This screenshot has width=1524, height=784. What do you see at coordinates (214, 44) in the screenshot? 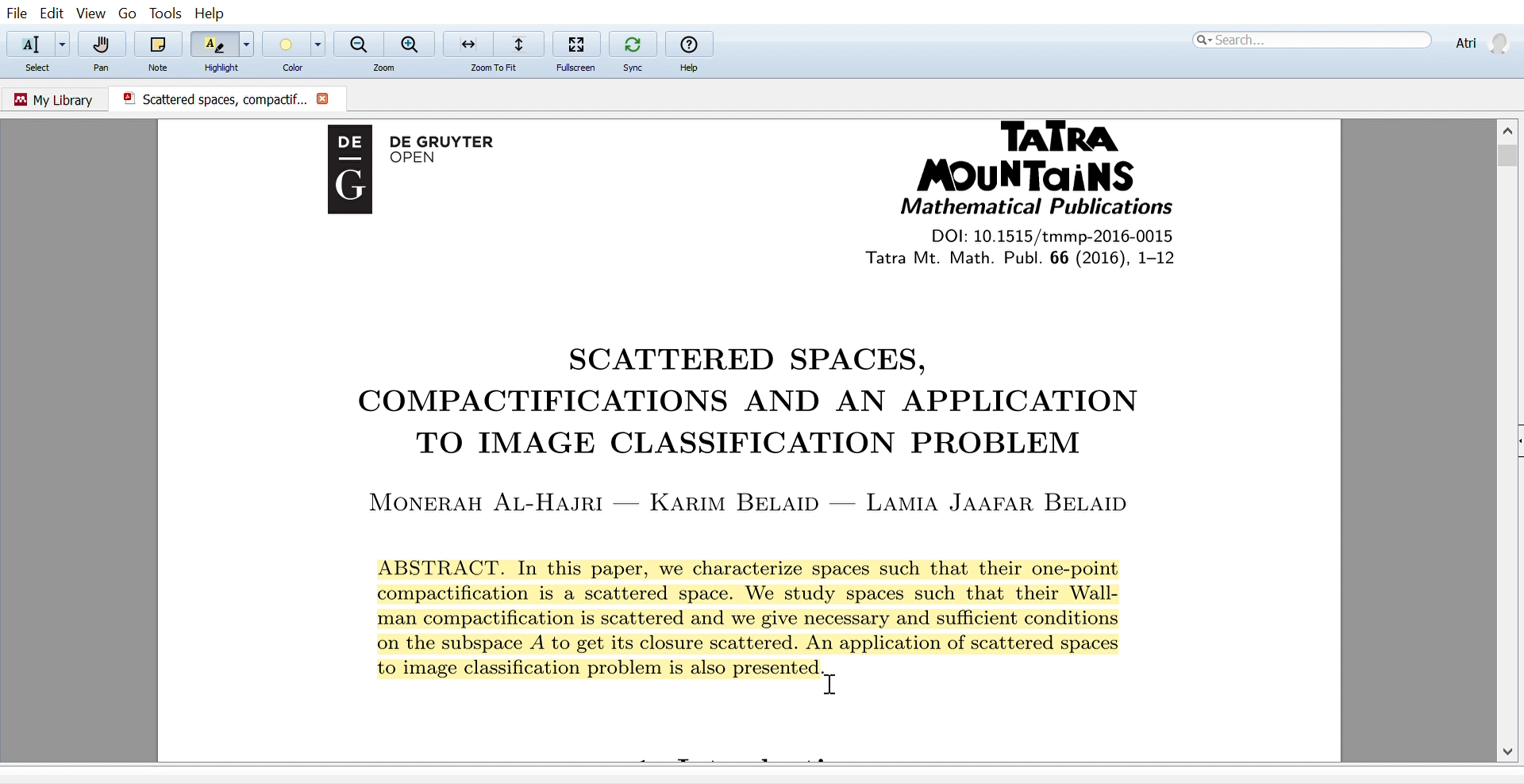
I see `Highlight` at bounding box center [214, 44].